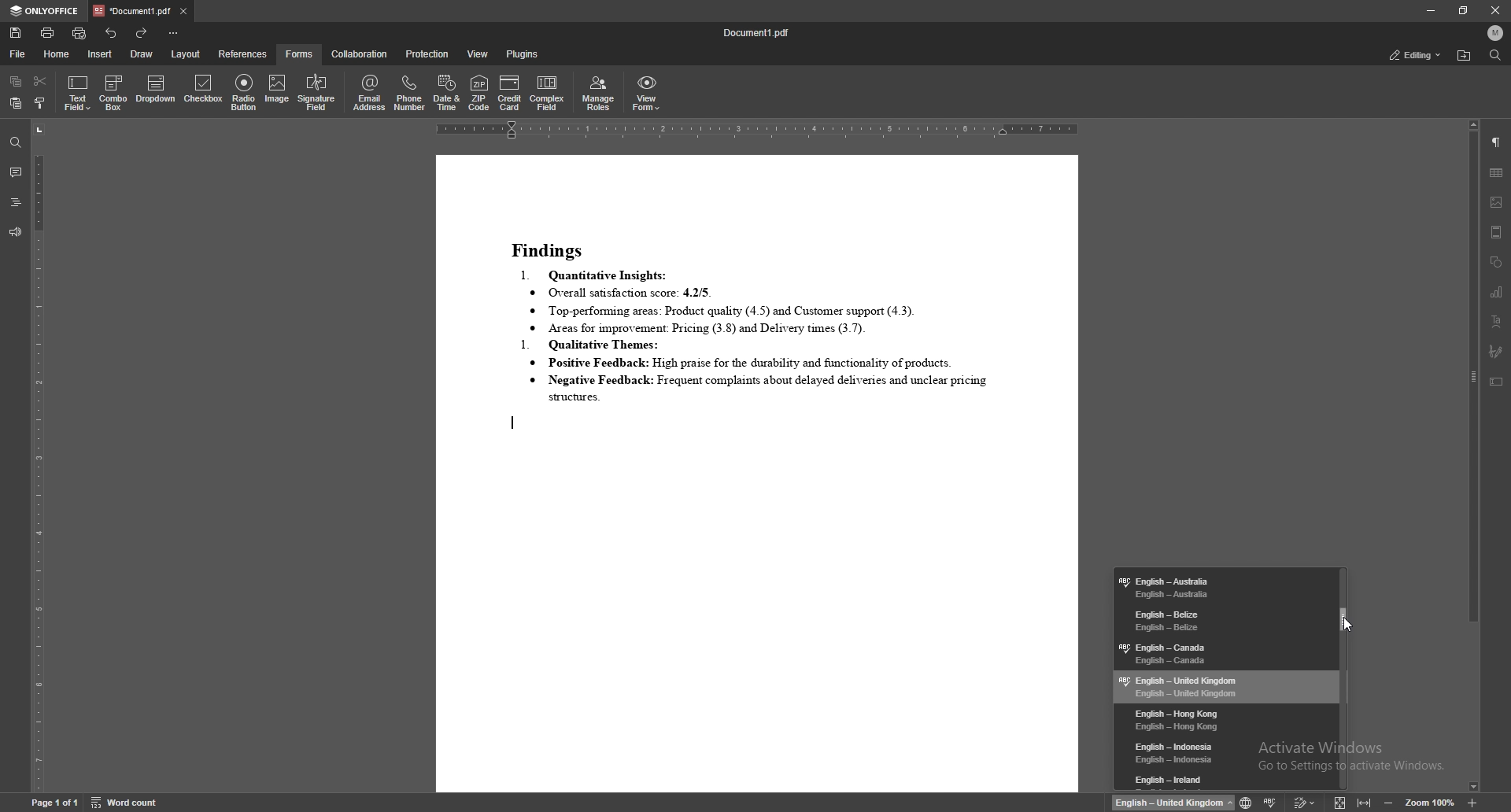  Describe the element at coordinates (511, 92) in the screenshot. I see `credit card` at that location.